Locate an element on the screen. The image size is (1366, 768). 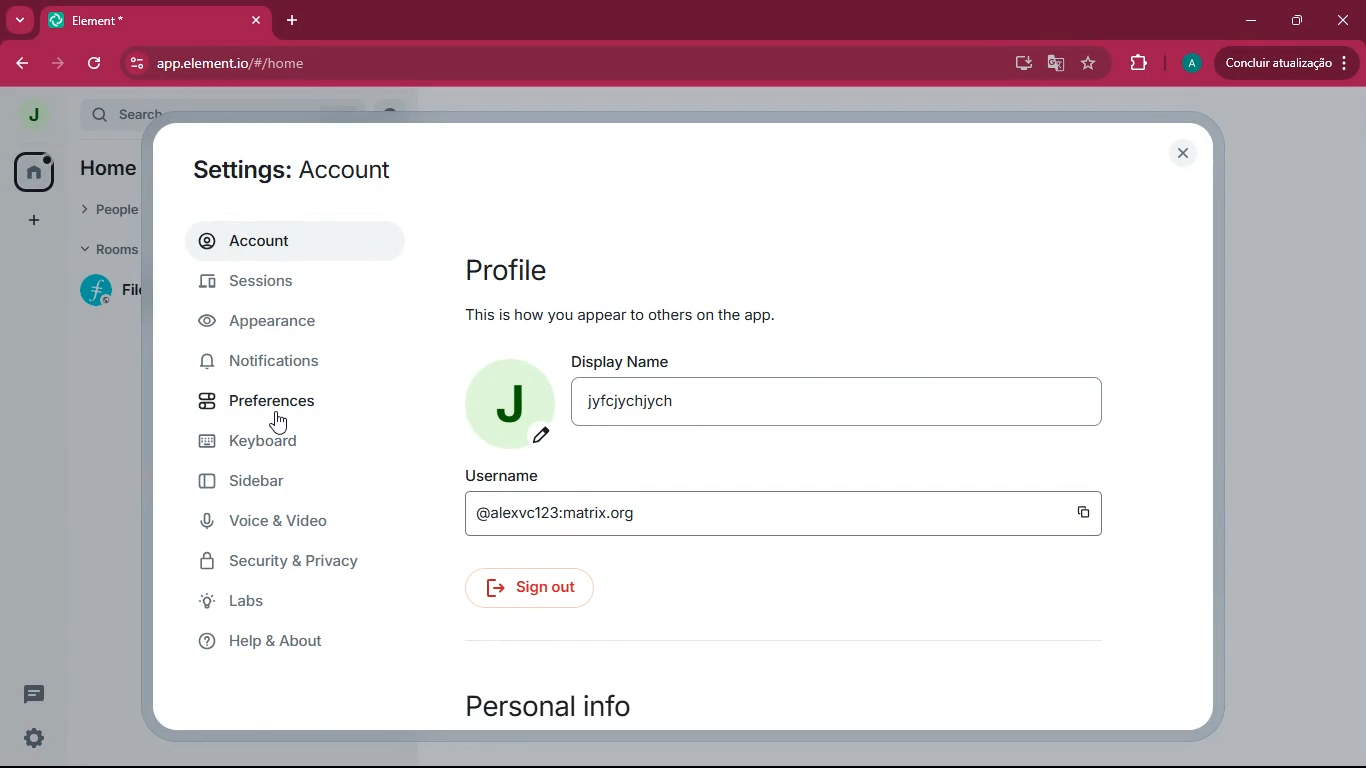
Copy is located at coordinates (1086, 512).